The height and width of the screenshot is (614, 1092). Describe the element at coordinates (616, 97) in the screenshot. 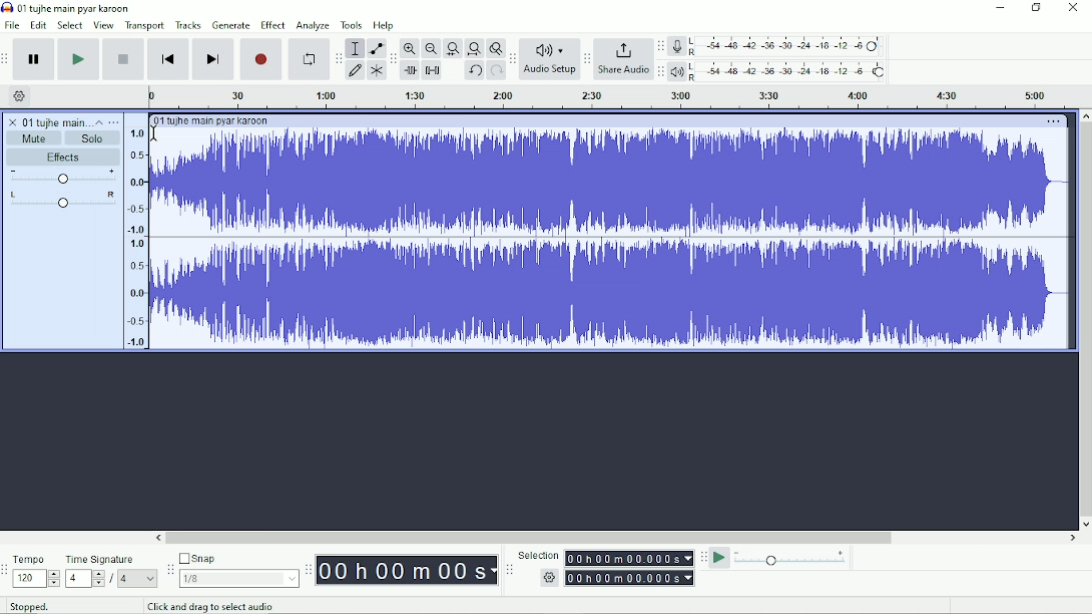

I see `Timeline` at that location.